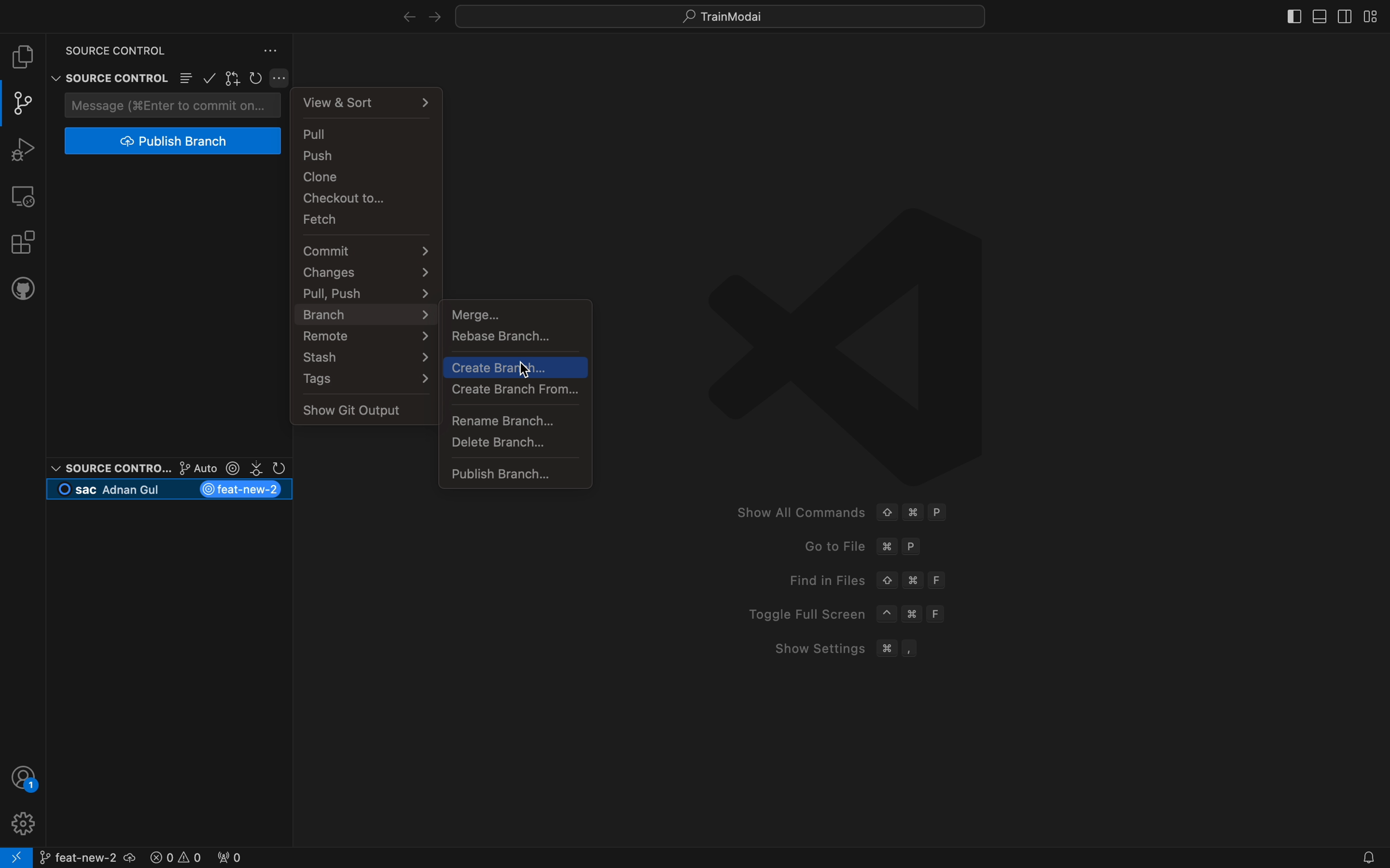 The height and width of the screenshot is (868, 1390). What do you see at coordinates (799, 614) in the screenshot?
I see `Toggle Full Screen` at bounding box center [799, 614].